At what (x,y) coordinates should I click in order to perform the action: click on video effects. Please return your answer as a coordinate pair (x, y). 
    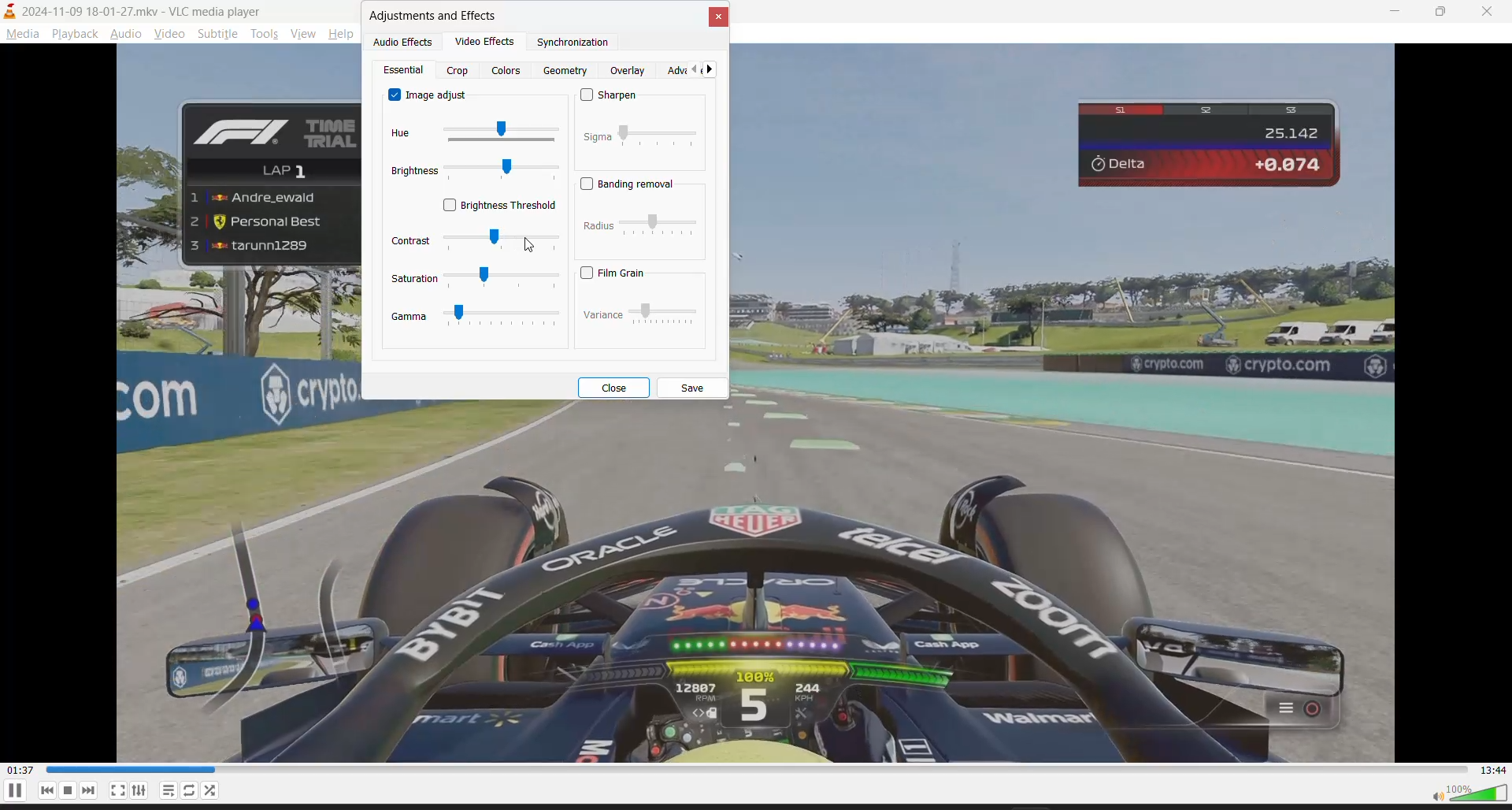
    Looking at the image, I should click on (489, 41).